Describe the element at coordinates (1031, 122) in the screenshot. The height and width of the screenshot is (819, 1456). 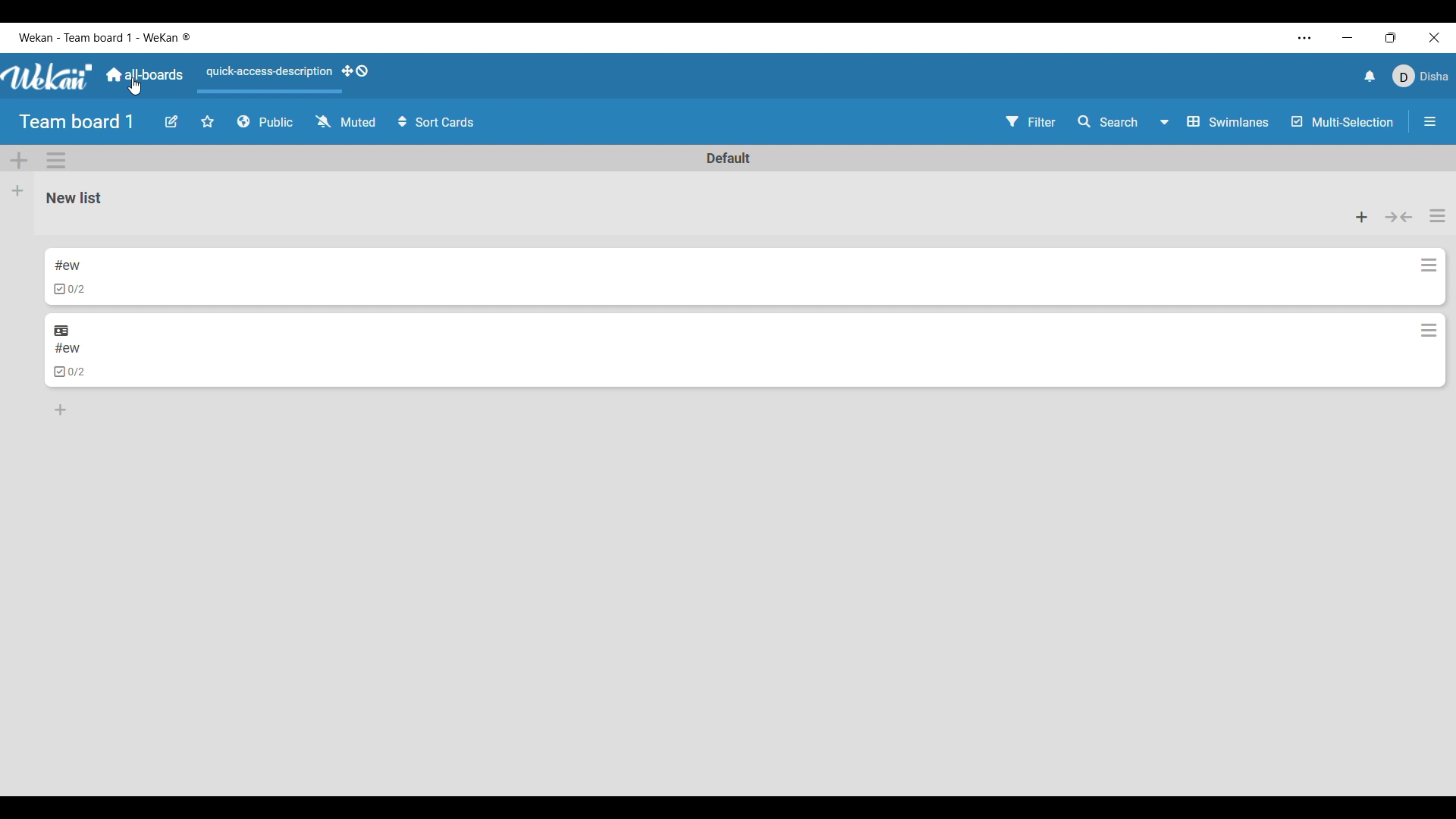
I see `Filter` at that location.